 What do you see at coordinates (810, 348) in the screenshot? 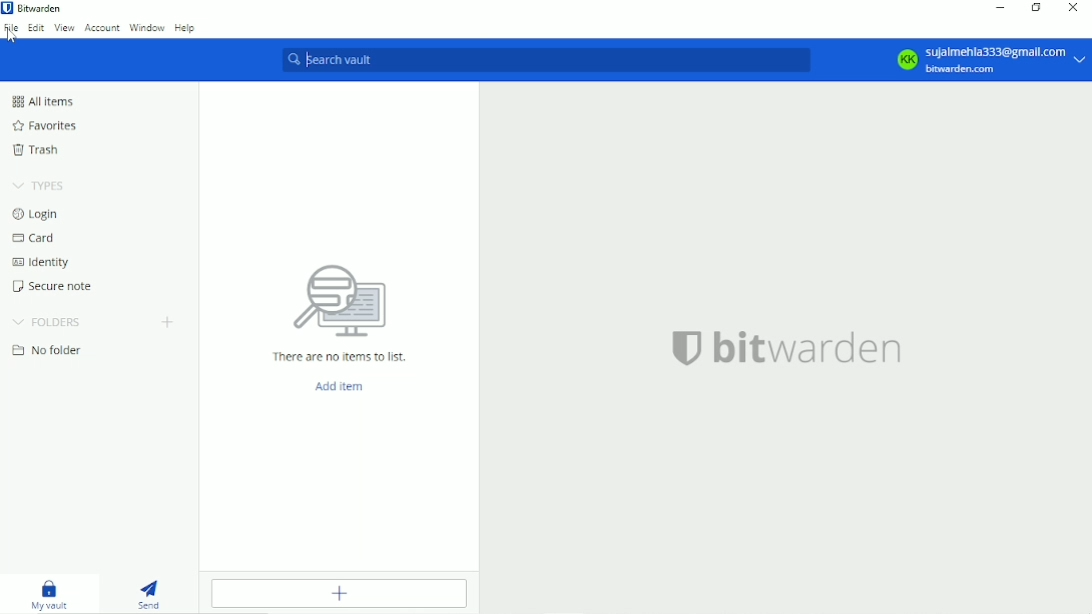
I see `bitwarden` at bounding box center [810, 348].